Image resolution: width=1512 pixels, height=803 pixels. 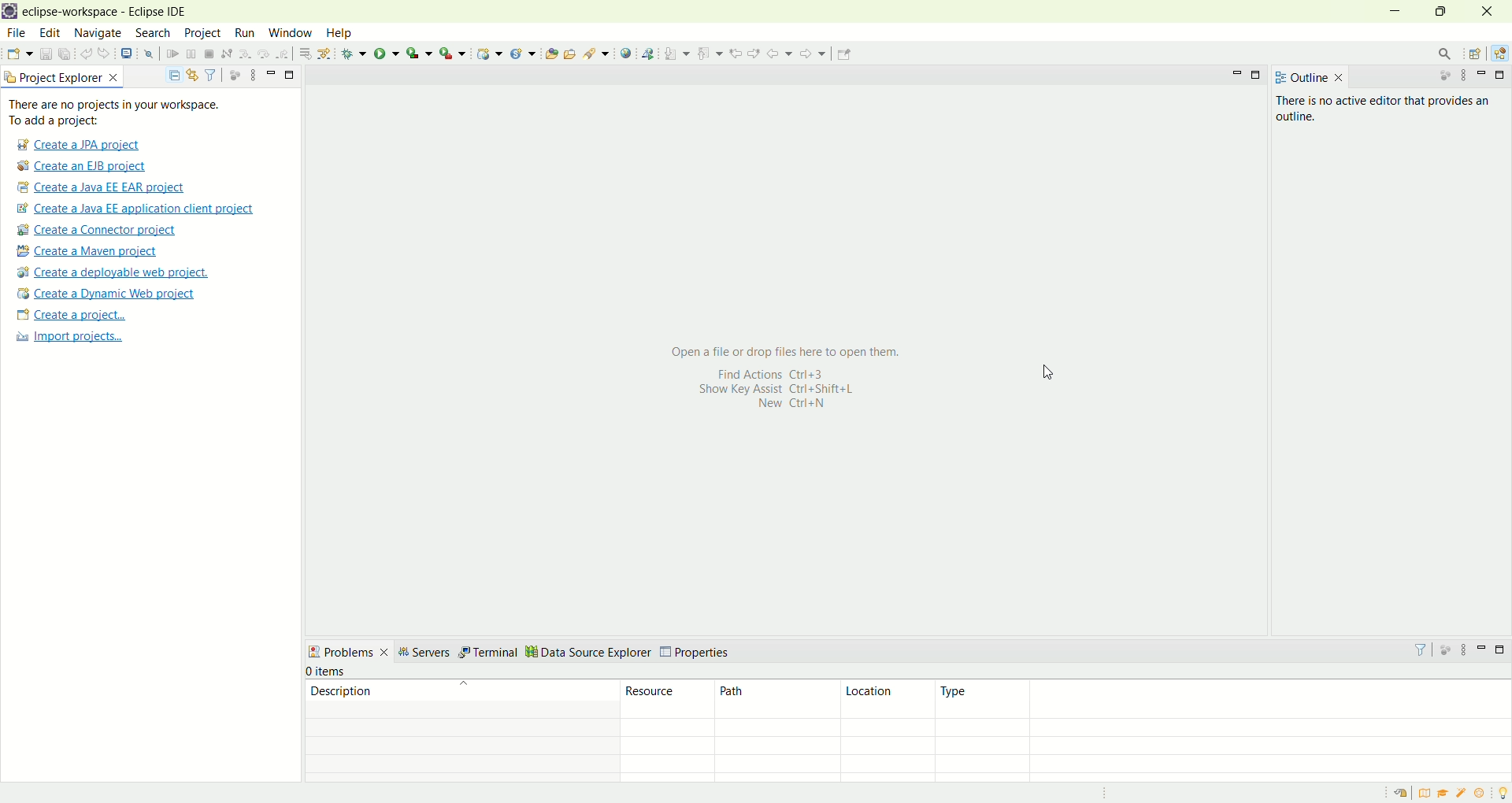 What do you see at coordinates (785, 378) in the screenshot?
I see `text` at bounding box center [785, 378].